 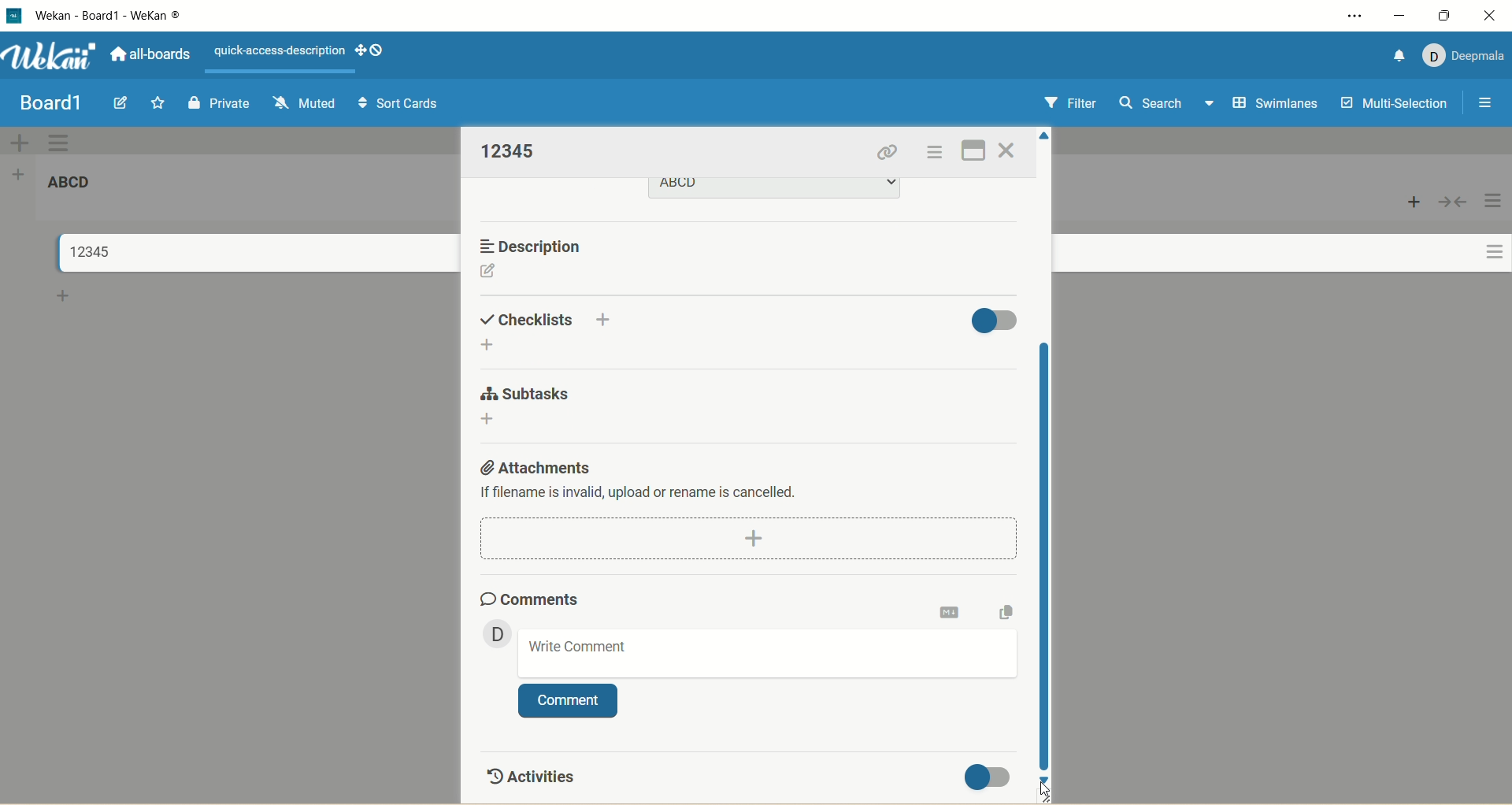 What do you see at coordinates (51, 58) in the screenshot?
I see `wekan` at bounding box center [51, 58].